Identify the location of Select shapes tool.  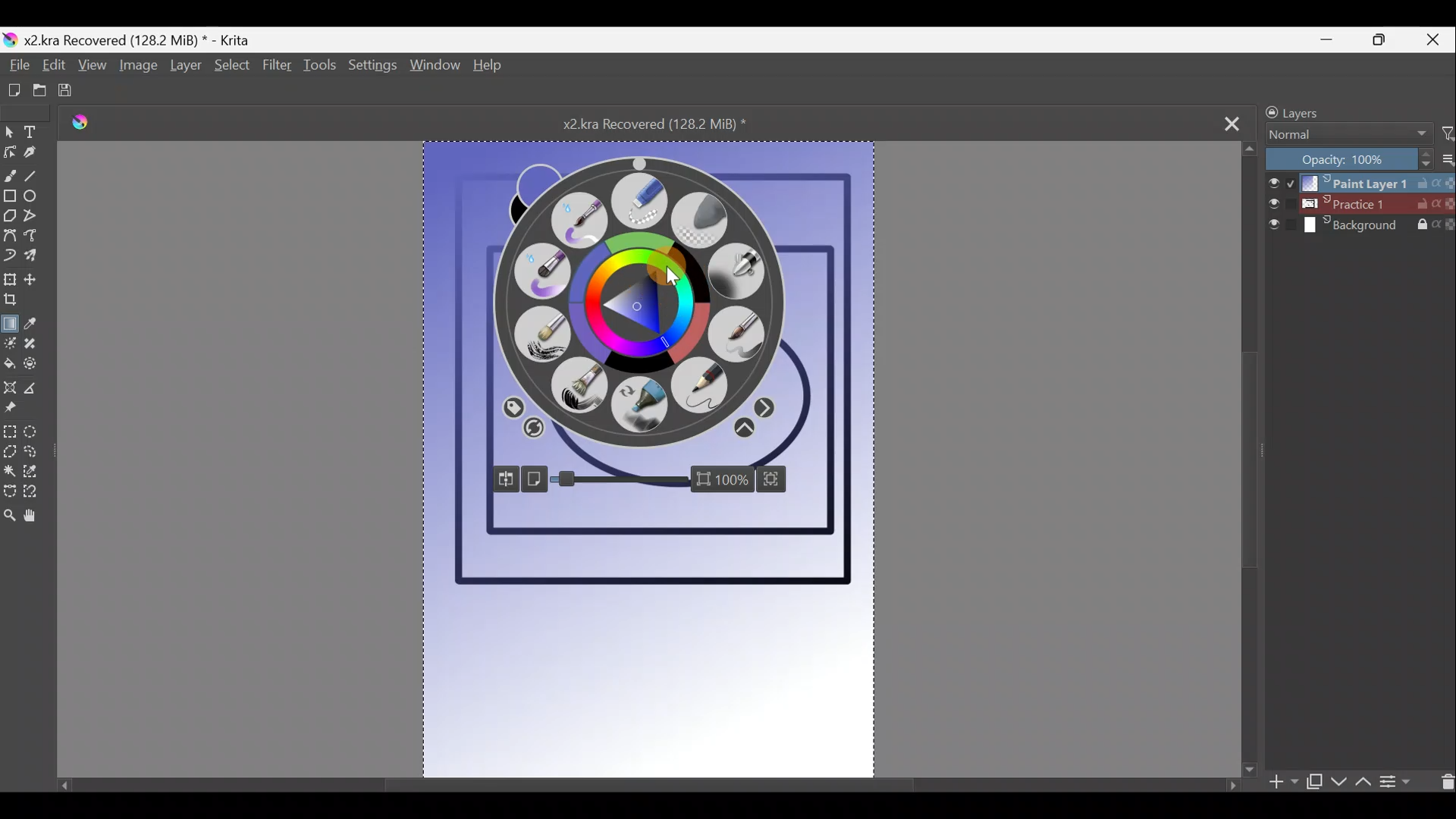
(9, 133).